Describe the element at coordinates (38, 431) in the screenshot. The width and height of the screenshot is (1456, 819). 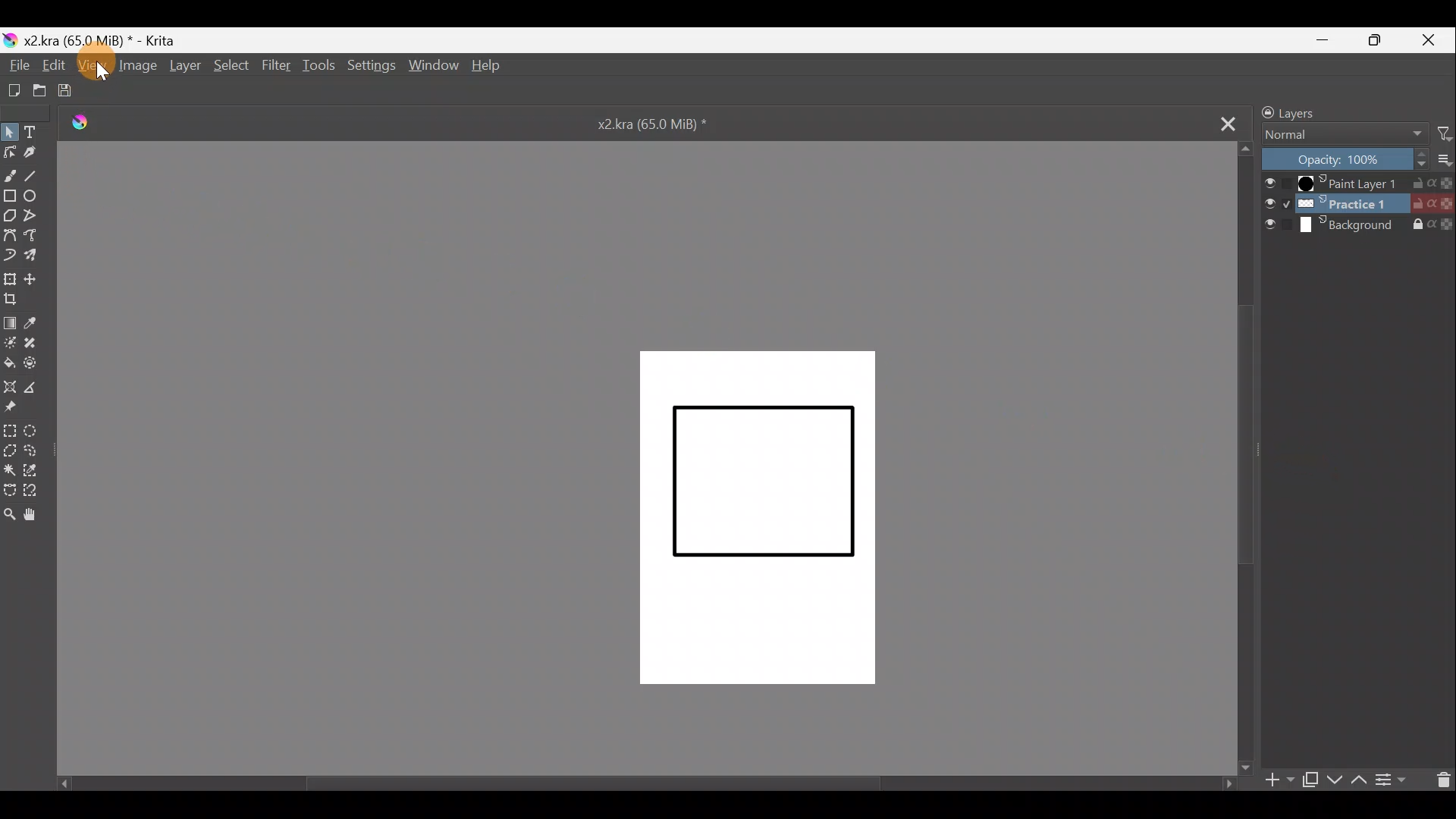
I see `Elliptical selection tool` at that location.